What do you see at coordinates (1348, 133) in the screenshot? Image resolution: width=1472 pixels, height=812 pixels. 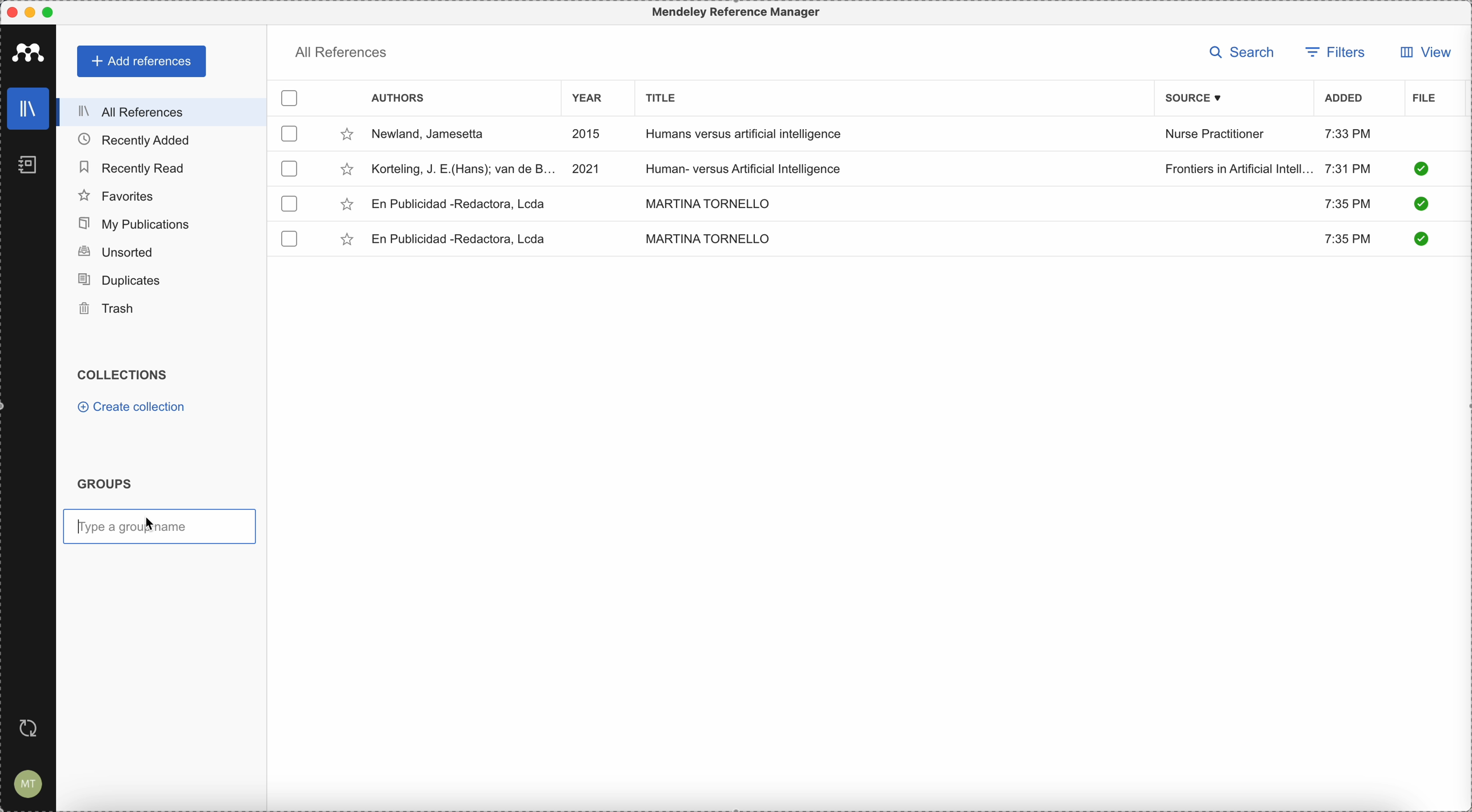 I see `7:33 PM` at bounding box center [1348, 133].